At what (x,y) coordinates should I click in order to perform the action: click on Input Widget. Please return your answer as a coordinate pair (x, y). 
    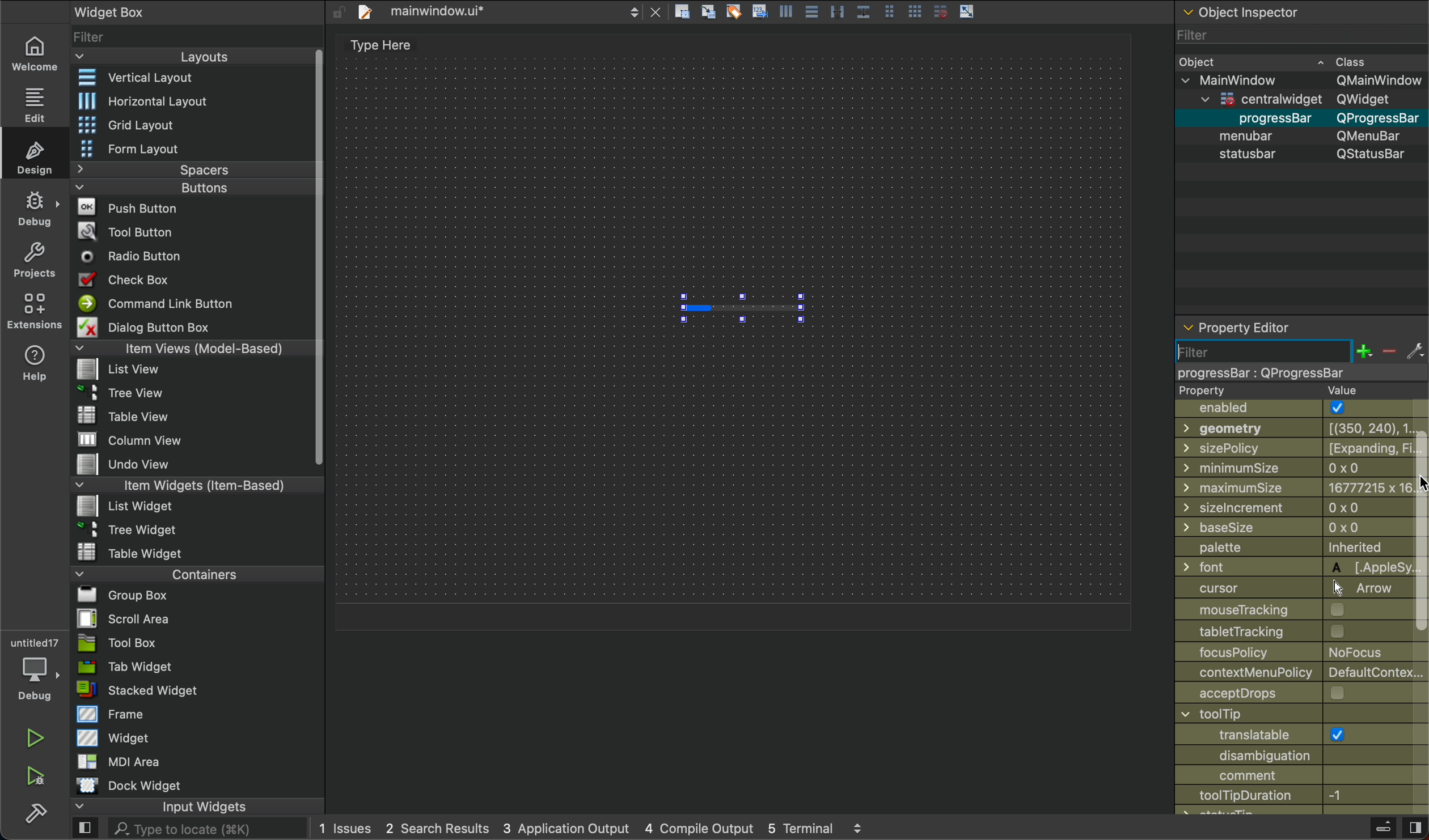
    Looking at the image, I should click on (159, 807).